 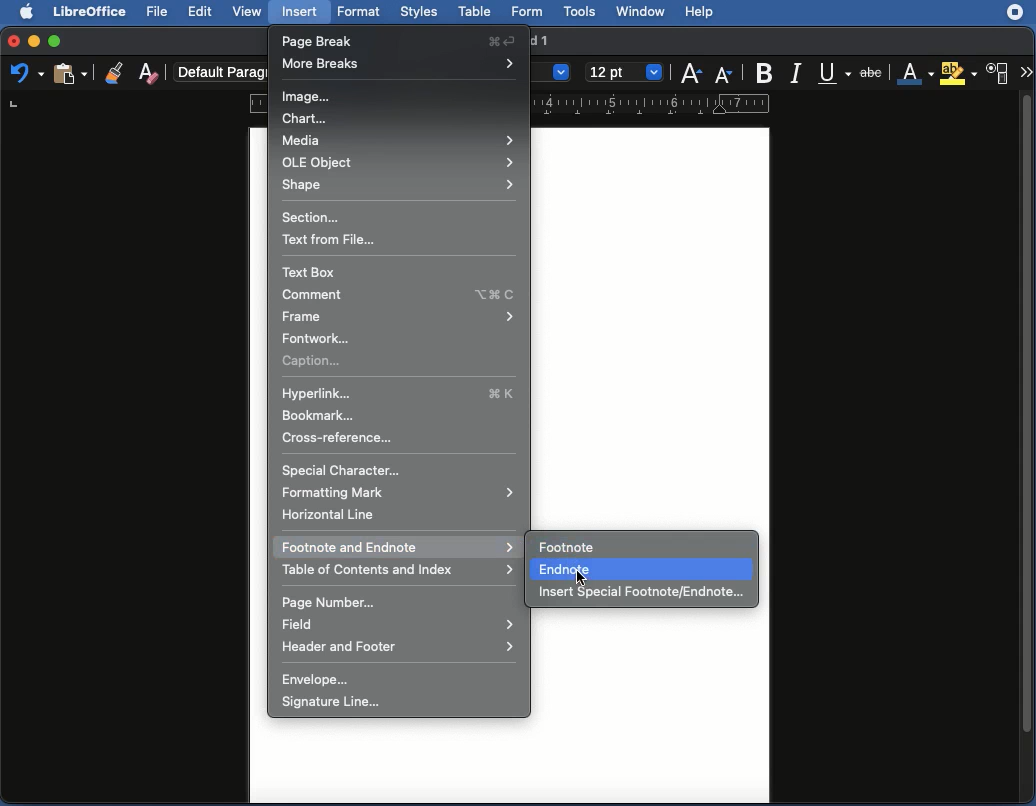 What do you see at coordinates (699, 12) in the screenshot?
I see `help` at bounding box center [699, 12].